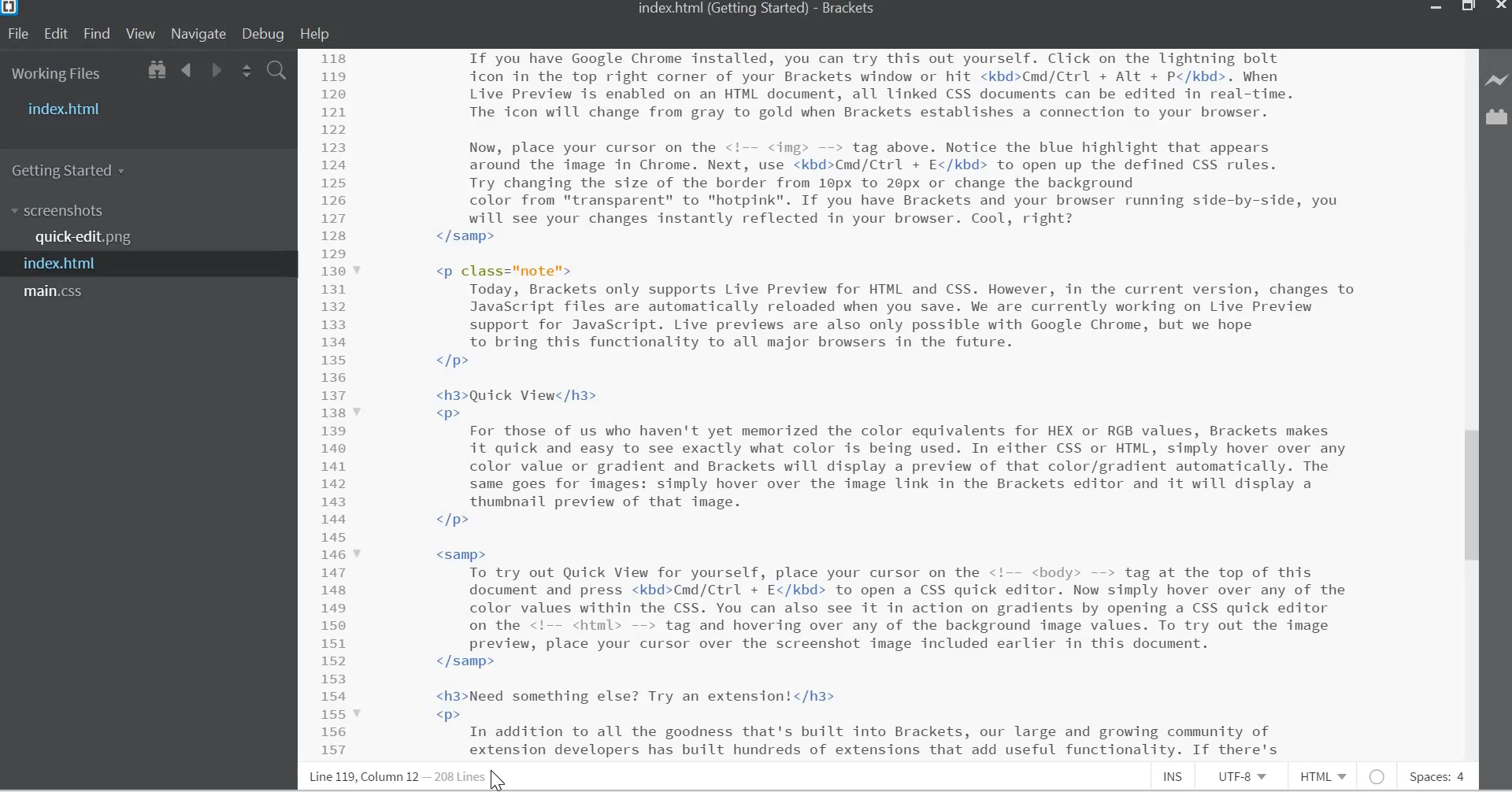  Describe the element at coordinates (1174, 775) in the screenshot. I see `Insert` at that location.